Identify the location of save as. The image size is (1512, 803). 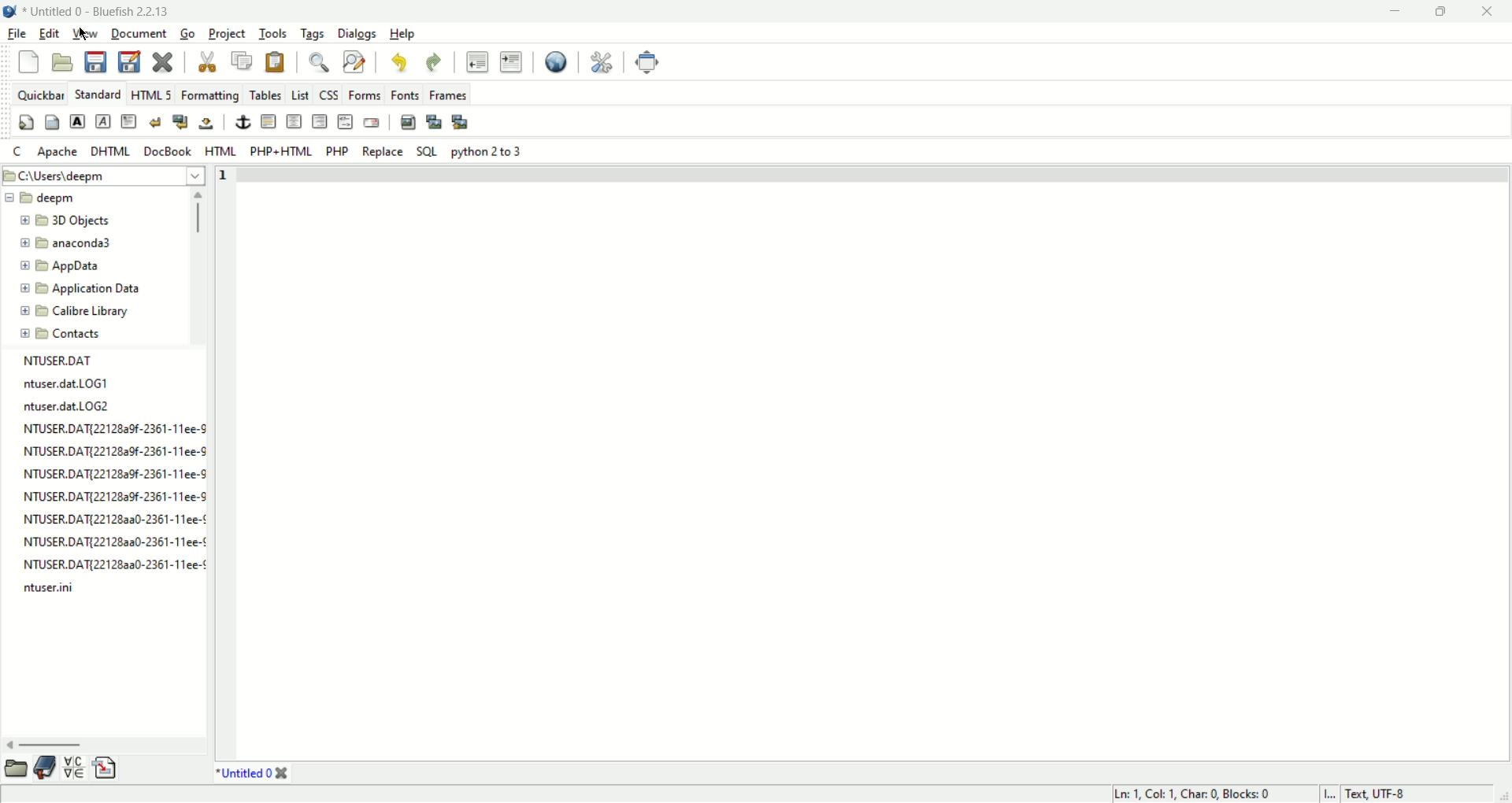
(130, 62).